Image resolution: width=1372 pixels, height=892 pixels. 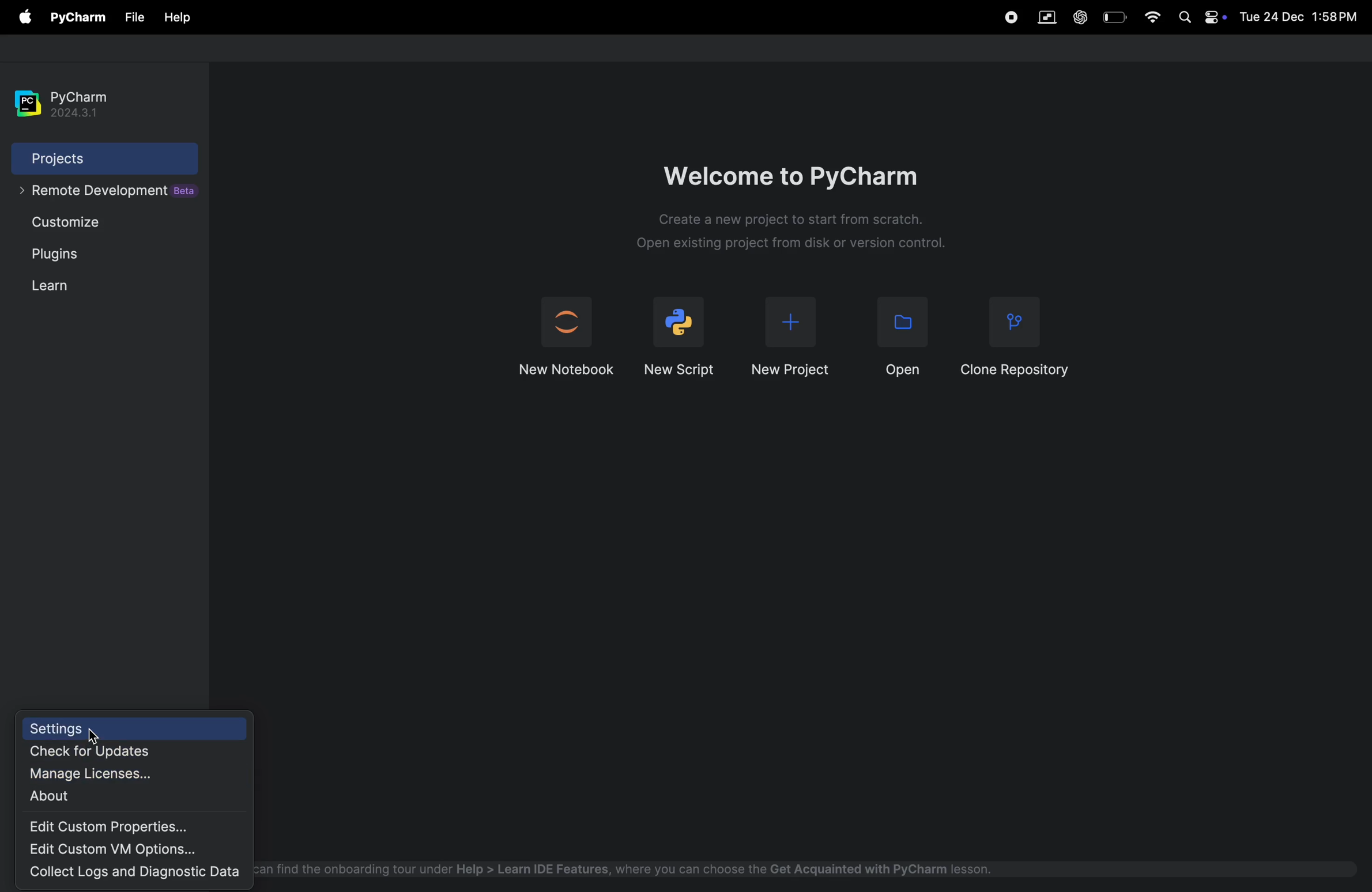 What do you see at coordinates (139, 728) in the screenshot?
I see `settings` at bounding box center [139, 728].